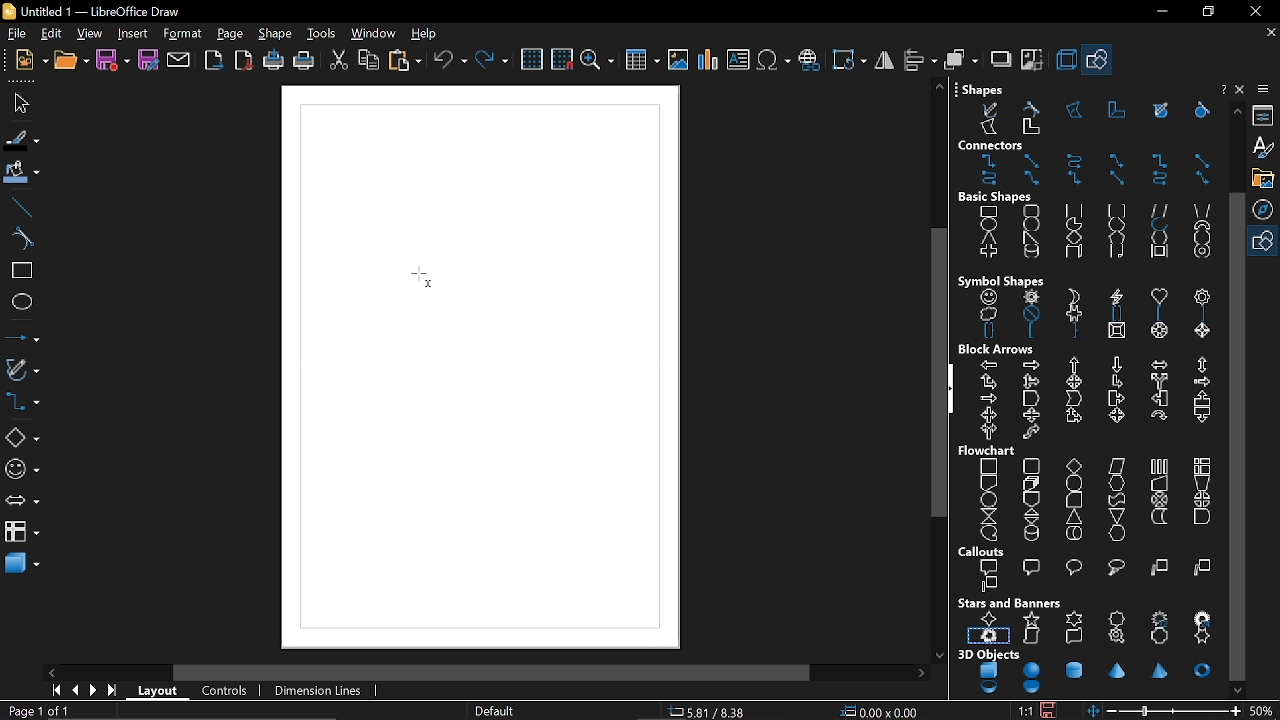 Image resolution: width=1280 pixels, height=720 pixels. I want to click on Basic shapes, so click(22, 439).